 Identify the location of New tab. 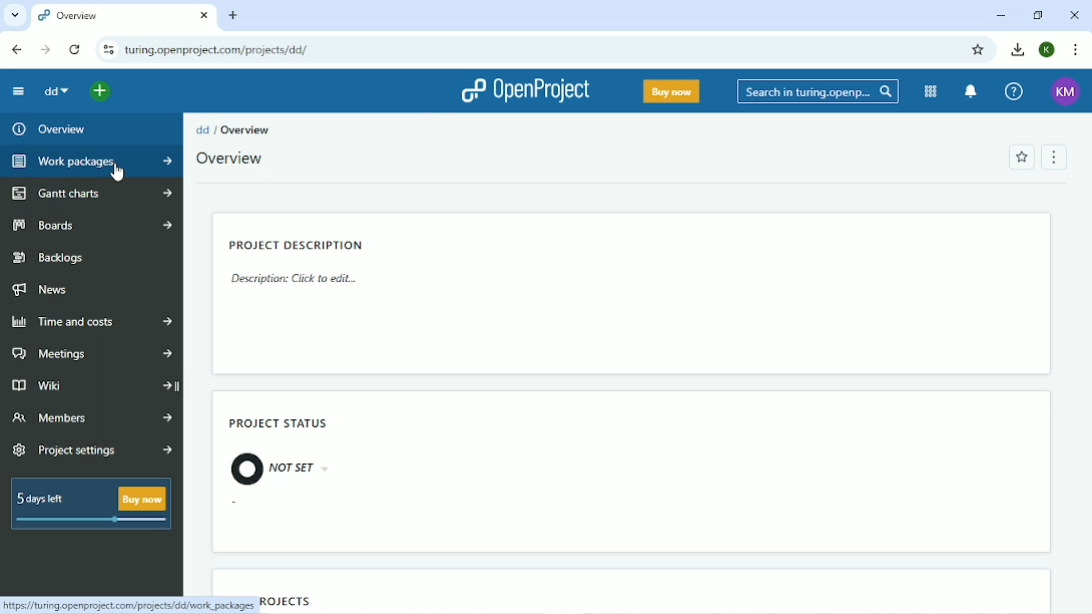
(235, 16).